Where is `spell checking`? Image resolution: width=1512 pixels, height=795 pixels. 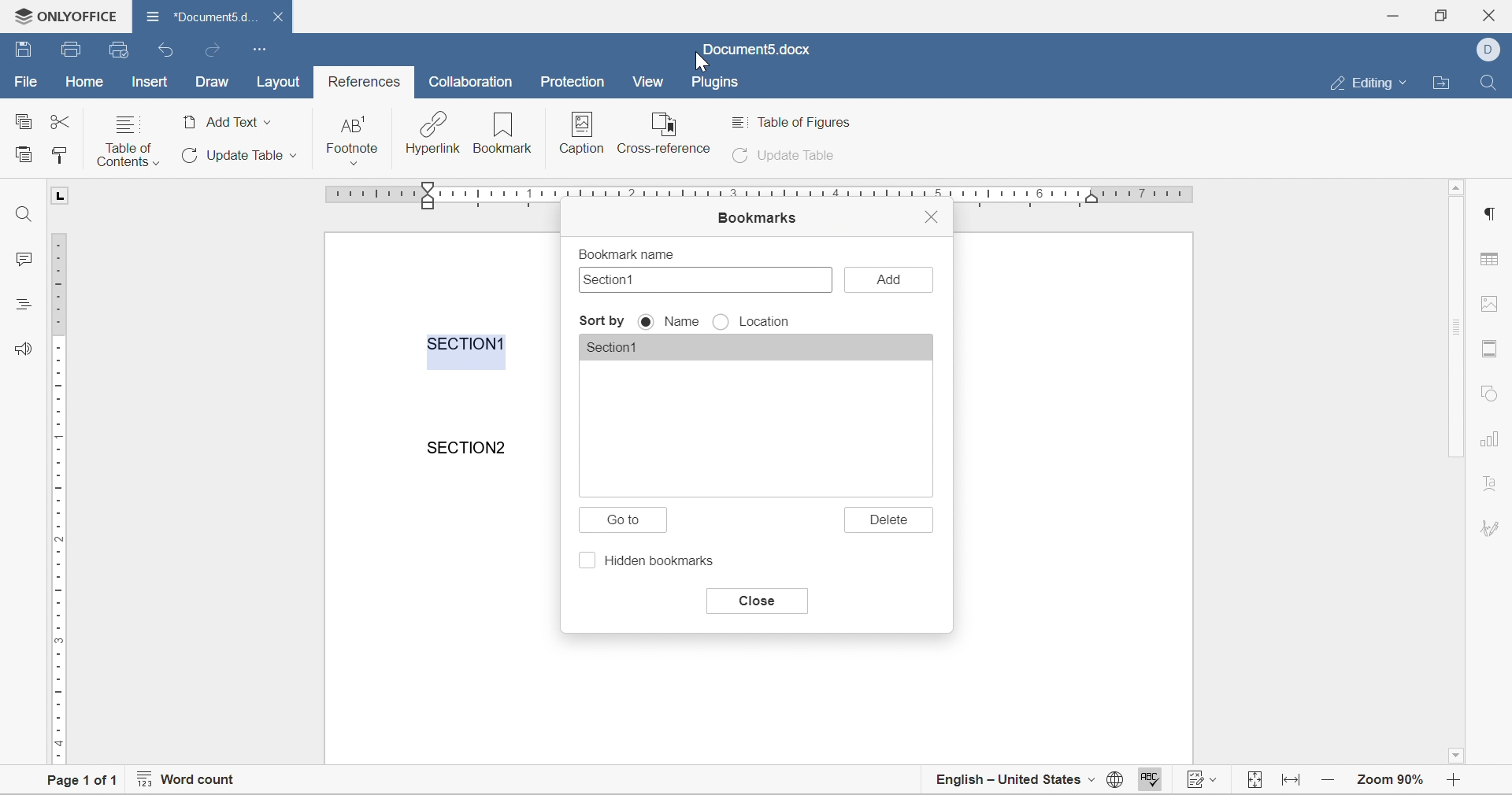 spell checking is located at coordinates (1147, 782).